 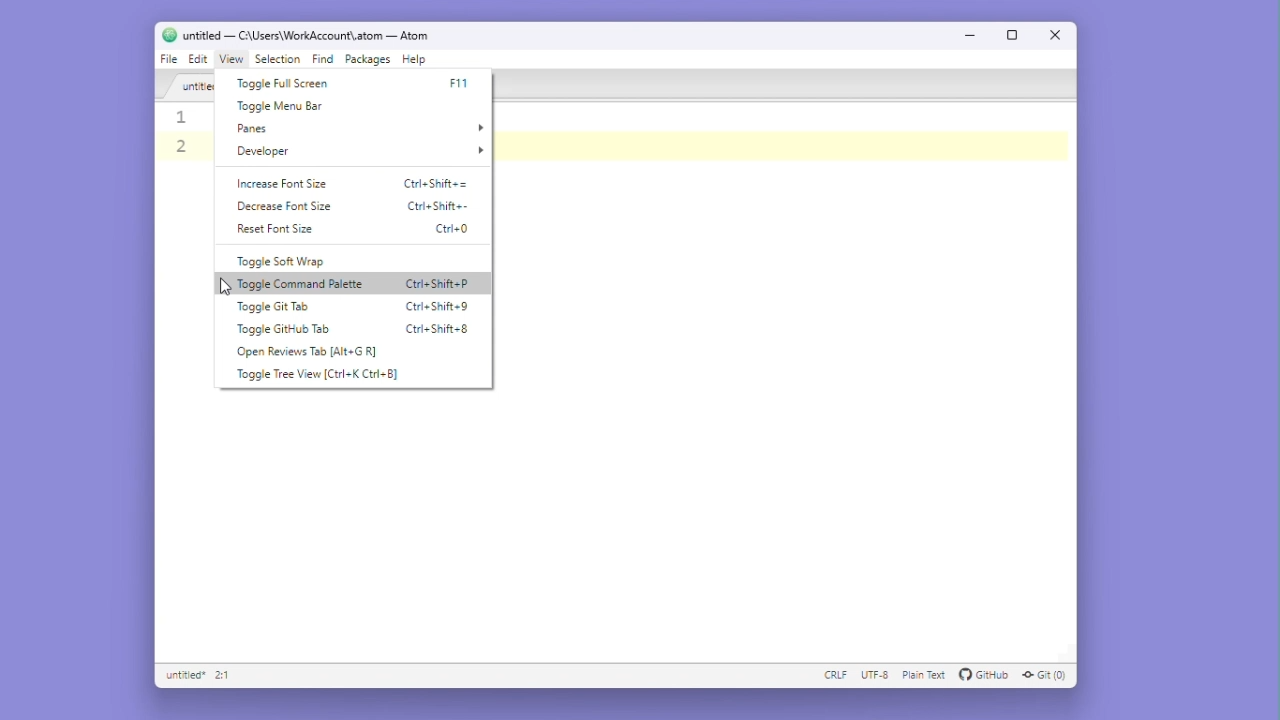 I want to click on Find, so click(x=325, y=61).